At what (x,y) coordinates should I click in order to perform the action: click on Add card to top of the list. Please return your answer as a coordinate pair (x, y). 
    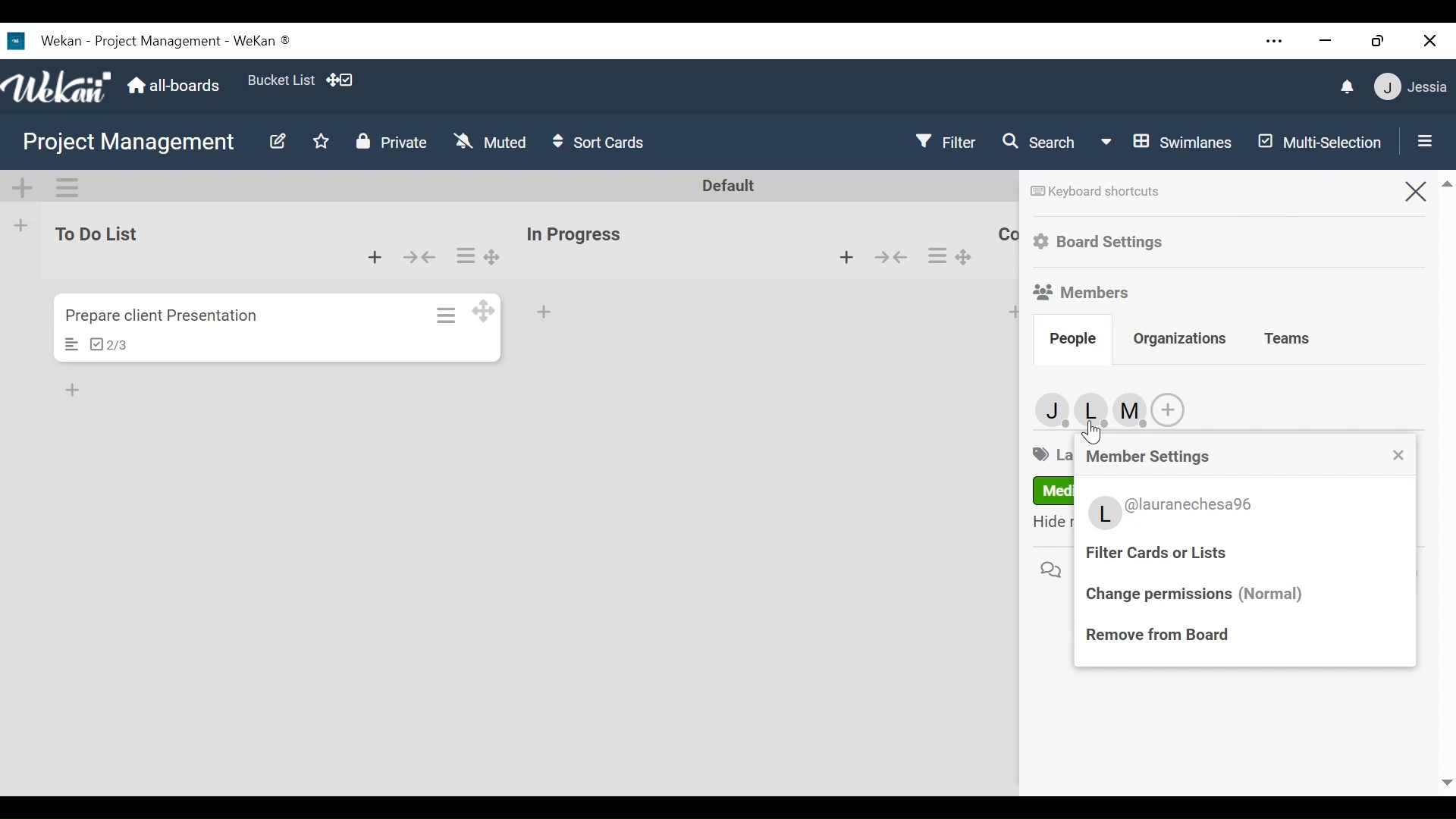
    Looking at the image, I should click on (1016, 312).